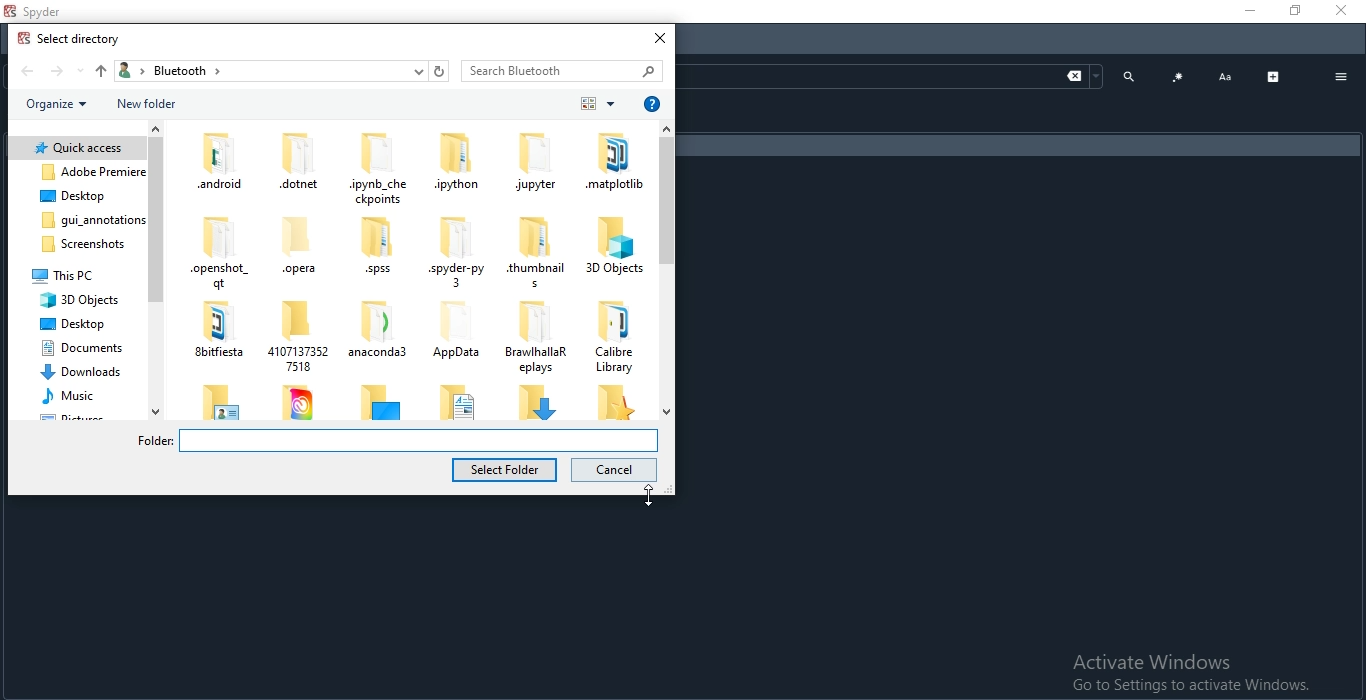 This screenshot has height=700, width=1366. I want to click on select folder, so click(507, 470).